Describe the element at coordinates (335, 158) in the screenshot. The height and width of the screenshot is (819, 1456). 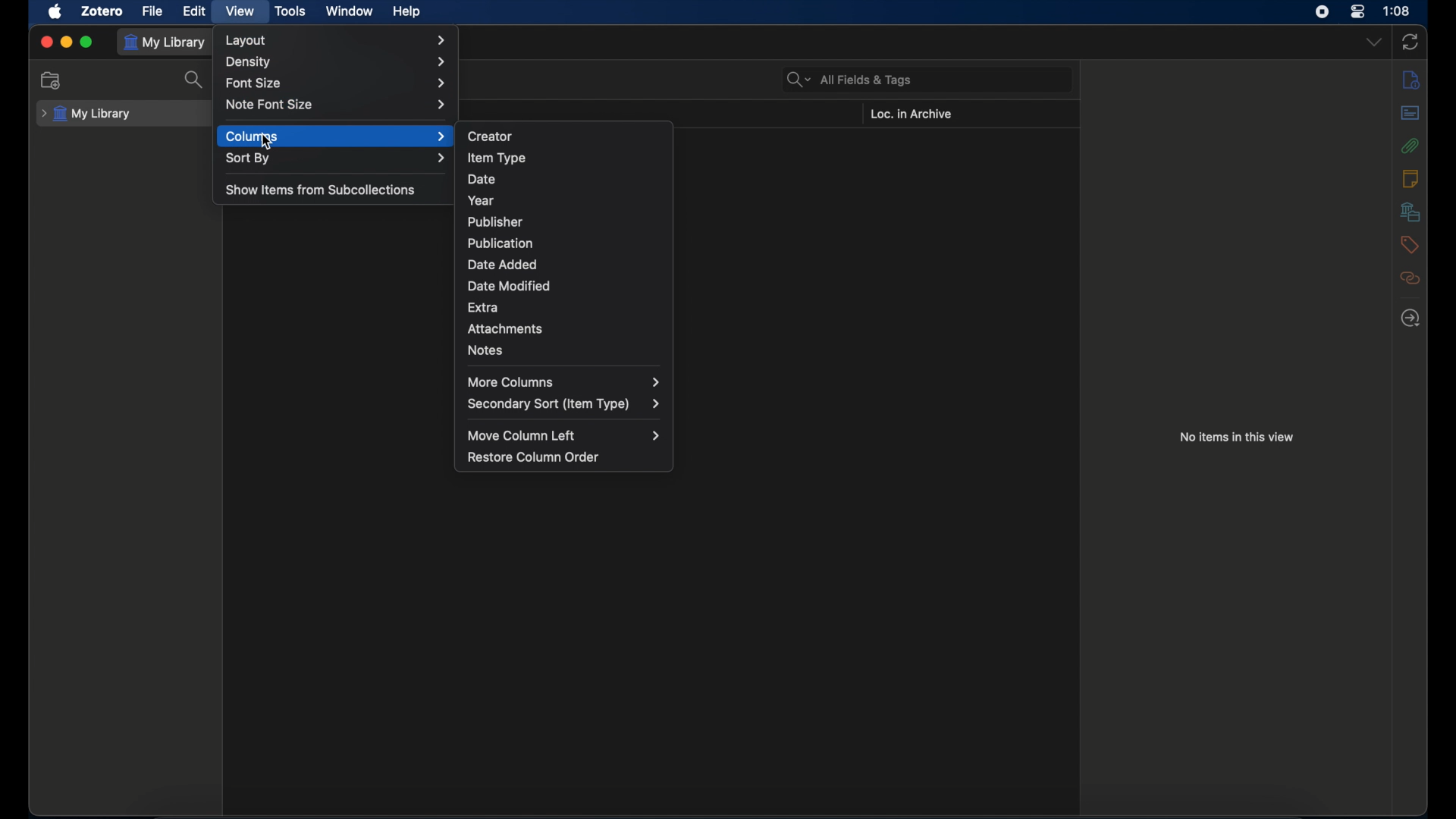
I see `sort by` at that location.